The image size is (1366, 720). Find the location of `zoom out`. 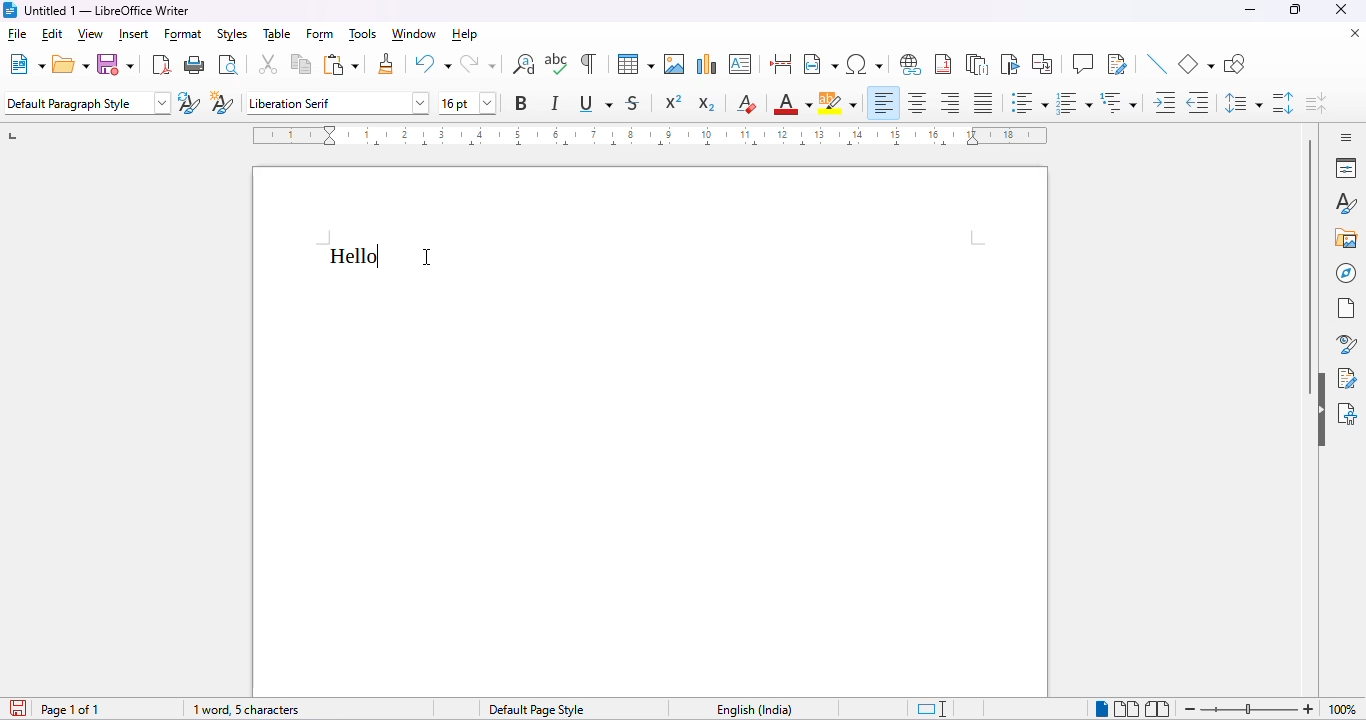

zoom out is located at coordinates (1188, 710).